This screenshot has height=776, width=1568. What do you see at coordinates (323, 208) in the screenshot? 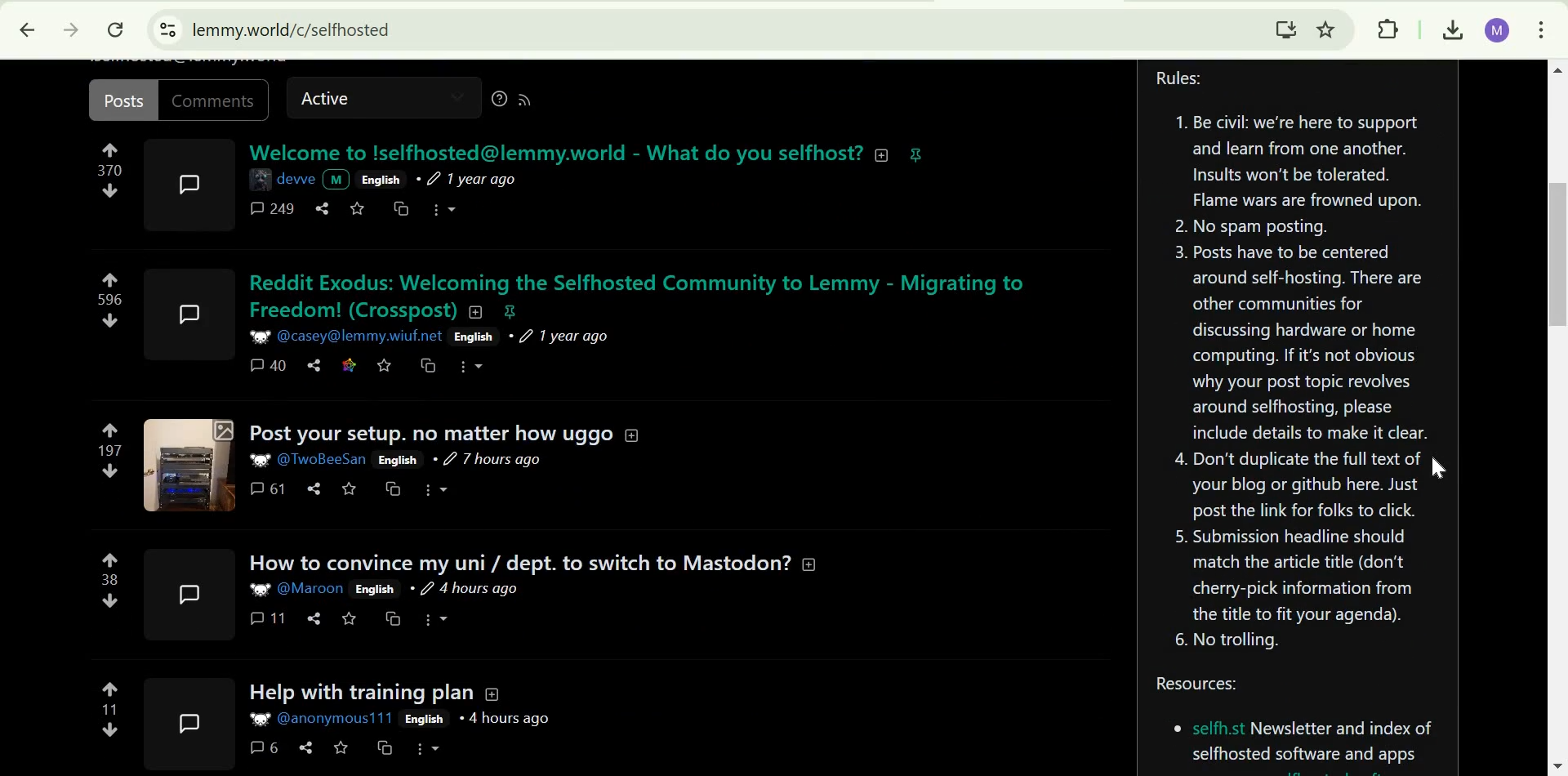
I see `share` at bounding box center [323, 208].